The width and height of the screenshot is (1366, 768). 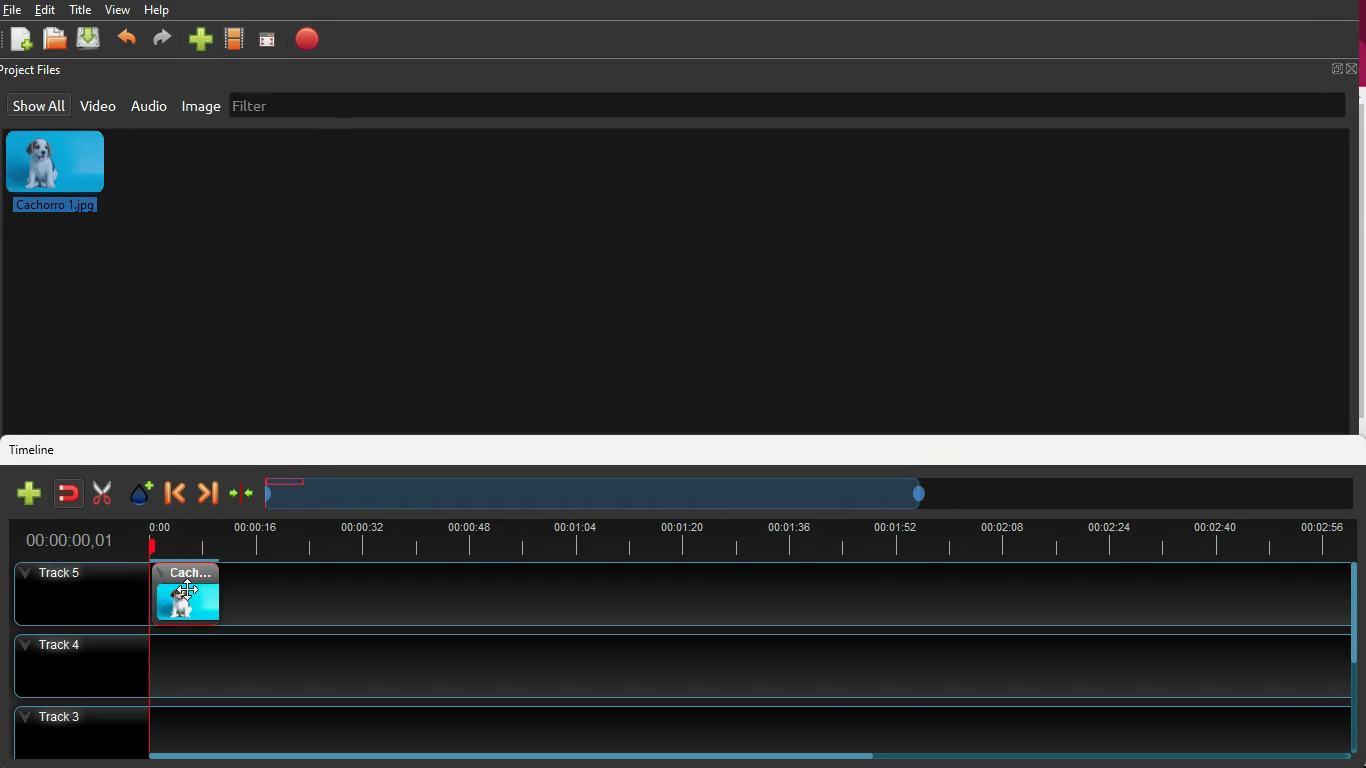 I want to click on image, so click(x=201, y=108).